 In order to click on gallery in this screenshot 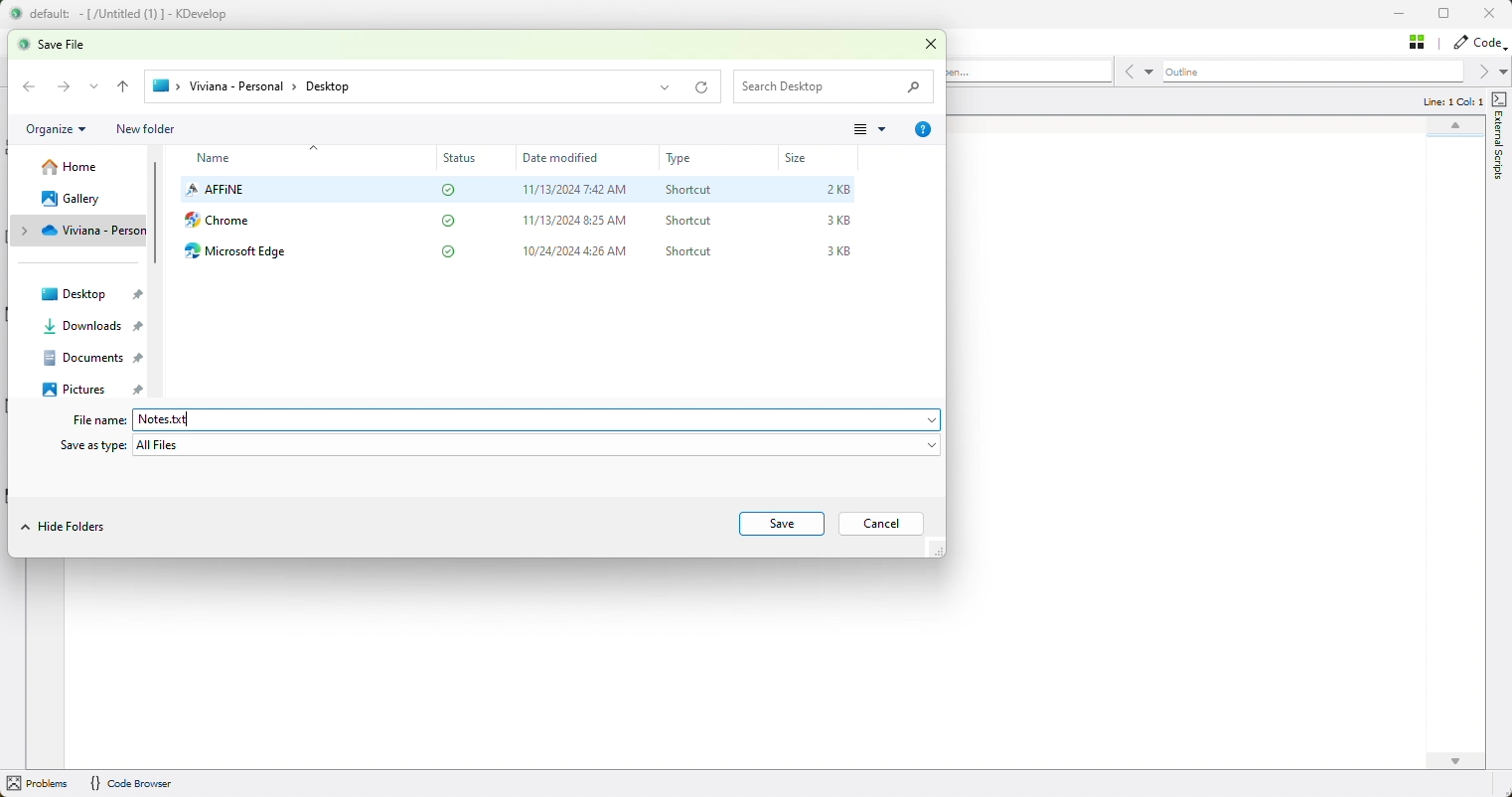, I will do `click(78, 198)`.